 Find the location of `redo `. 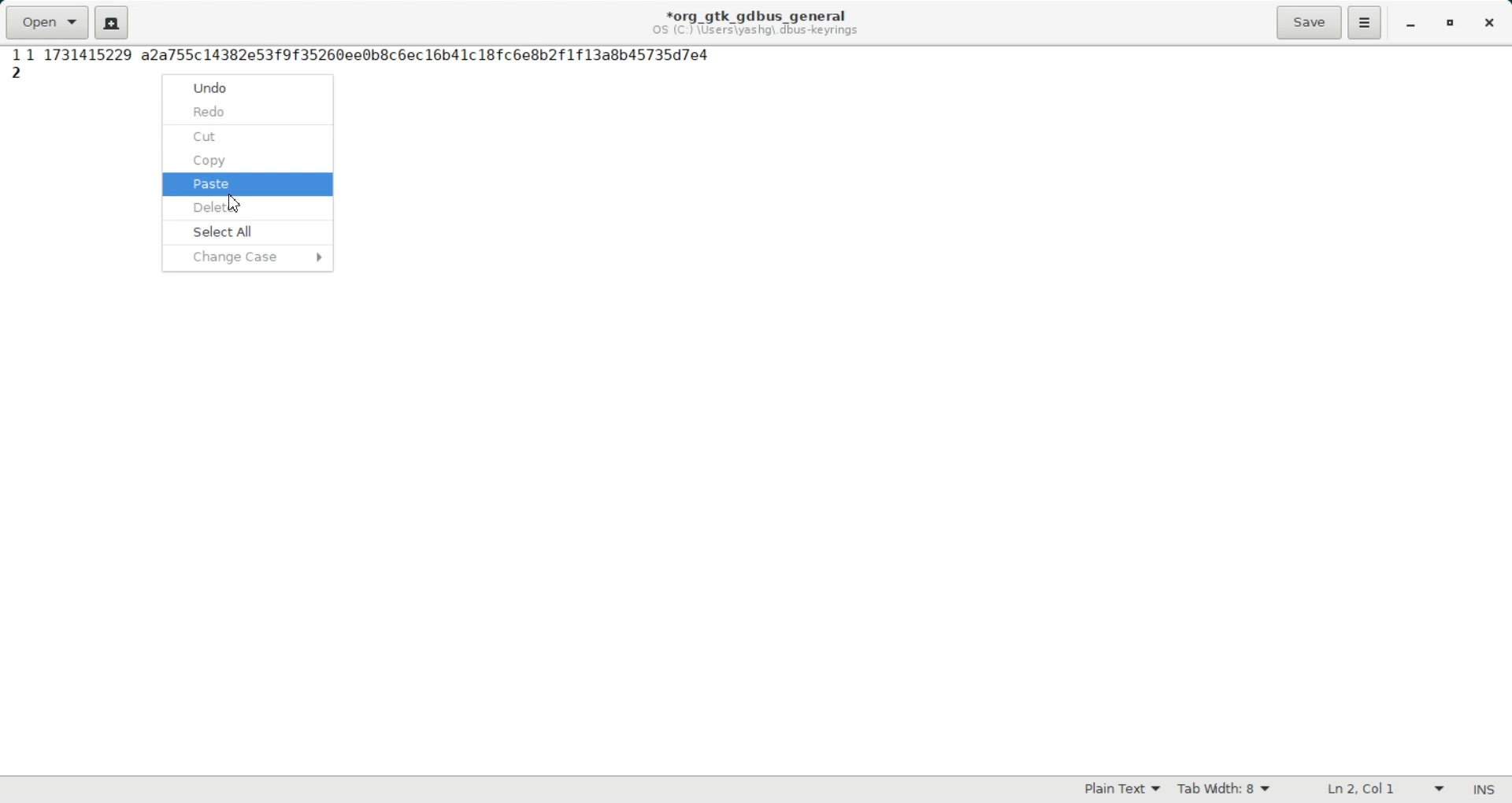

redo  is located at coordinates (246, 109).